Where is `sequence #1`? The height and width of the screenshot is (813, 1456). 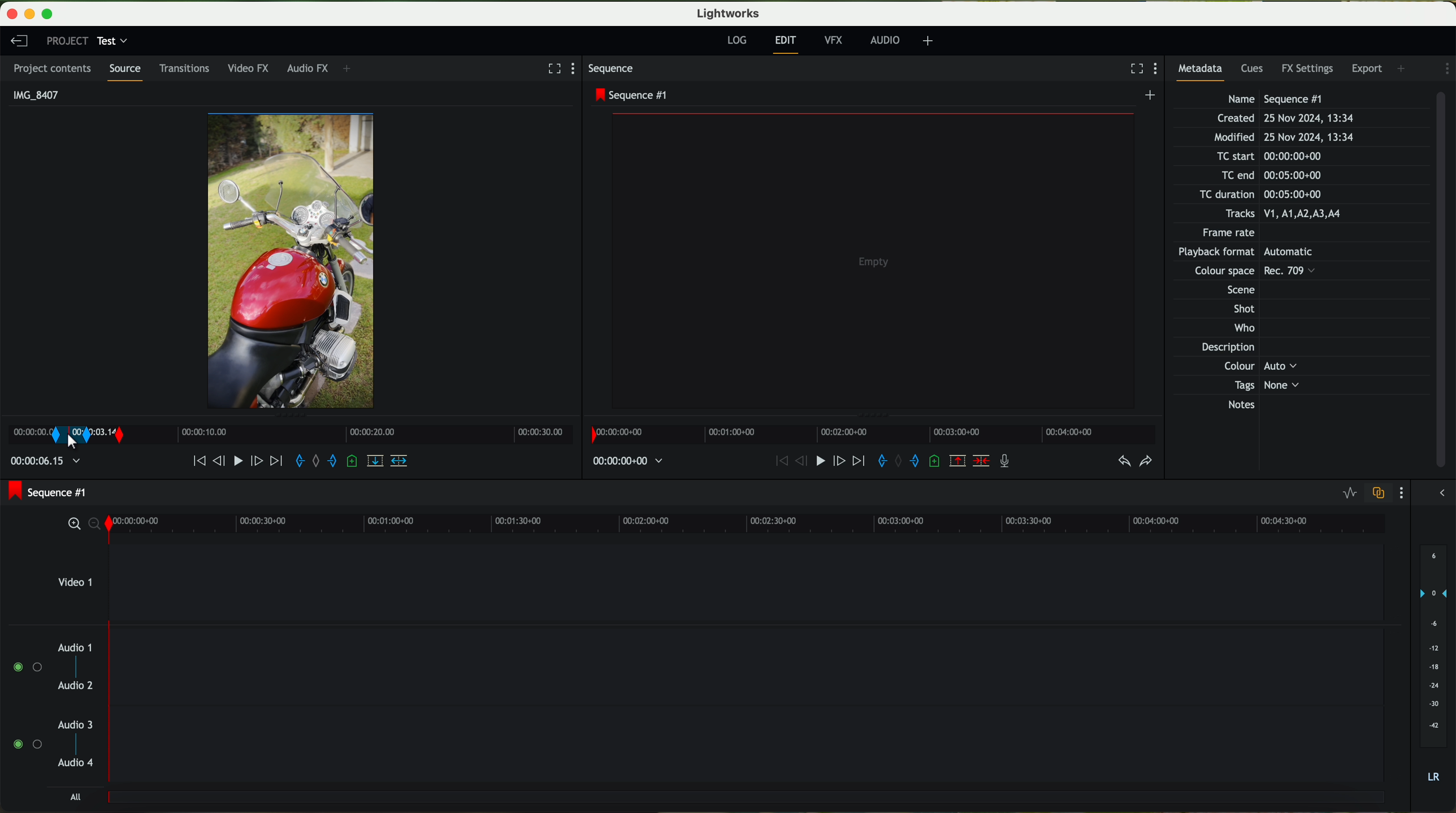 sequence #1 is located at coordinates (49, 492).